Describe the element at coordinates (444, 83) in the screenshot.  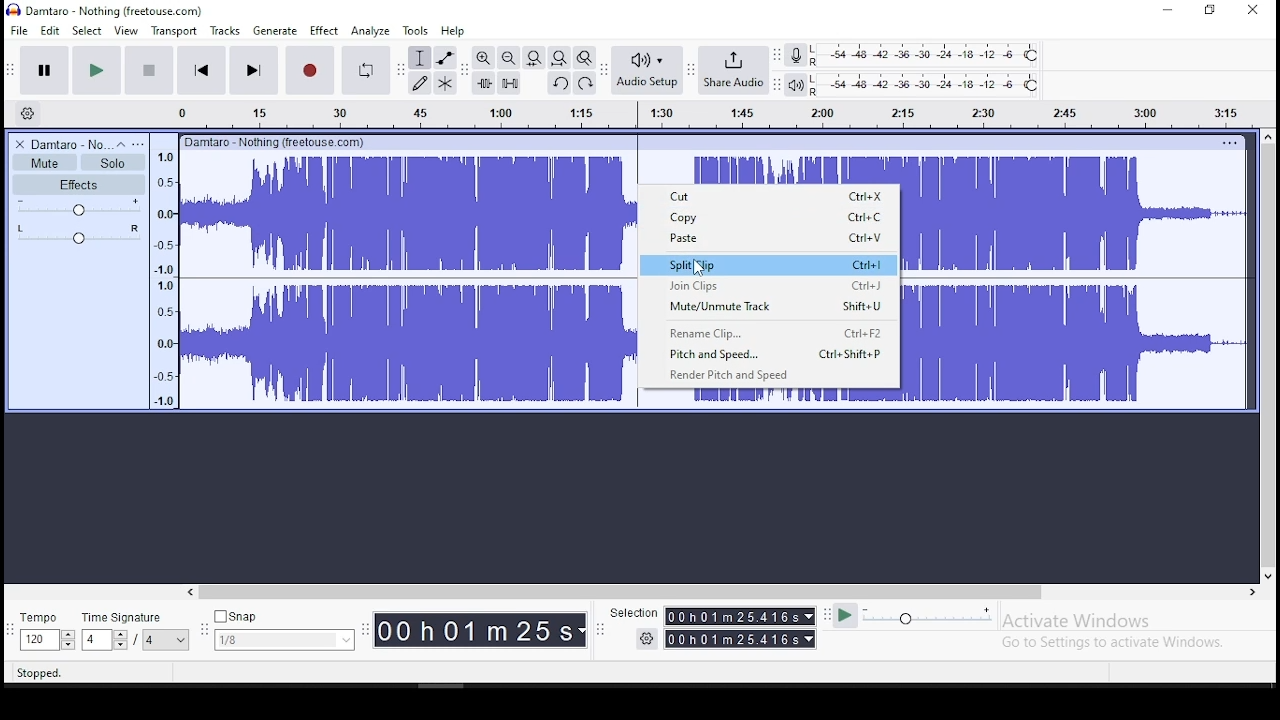
I see `multi tool` at that location.